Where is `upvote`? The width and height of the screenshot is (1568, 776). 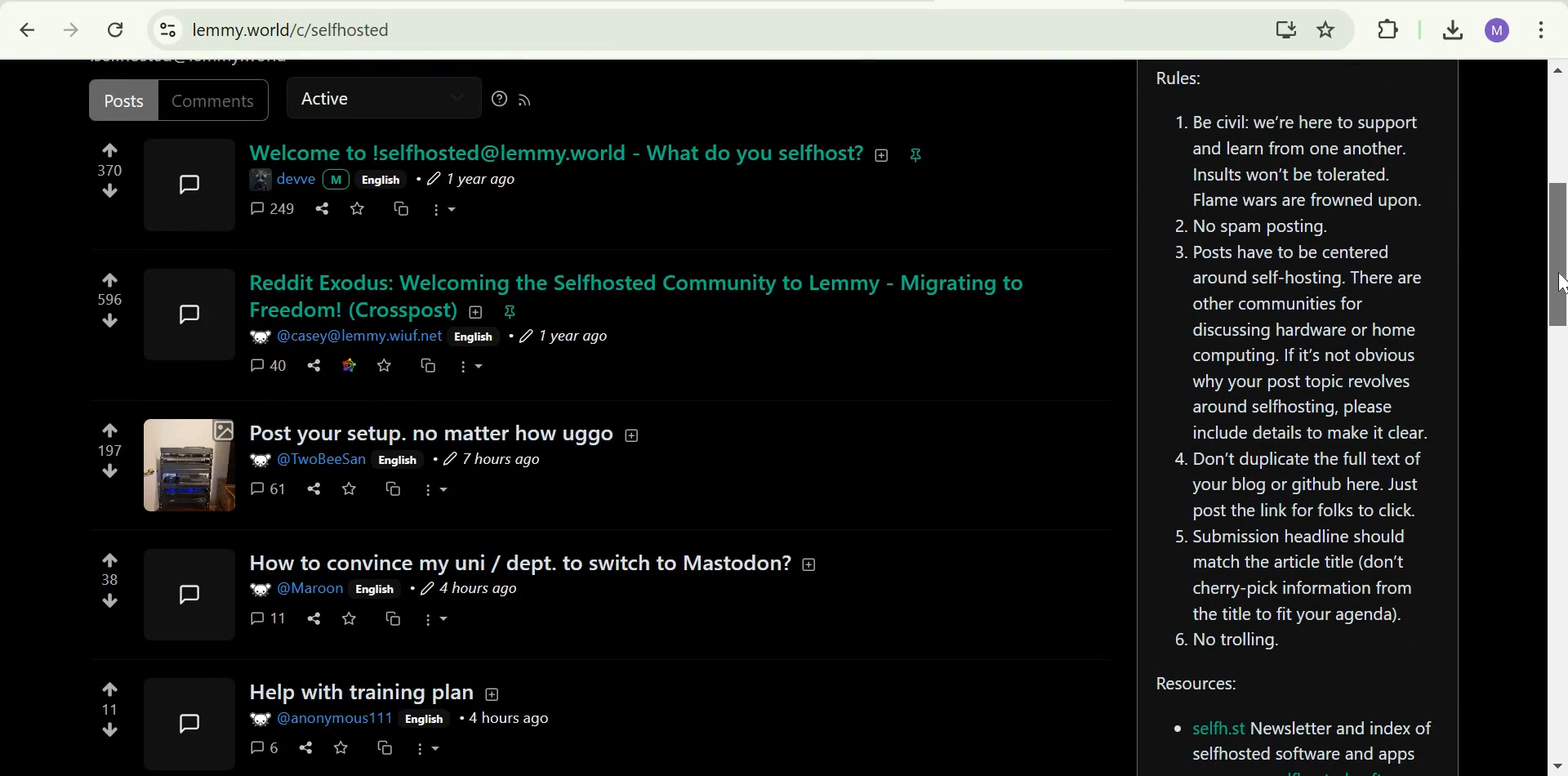
upvote is located at coordinates (109, 279).